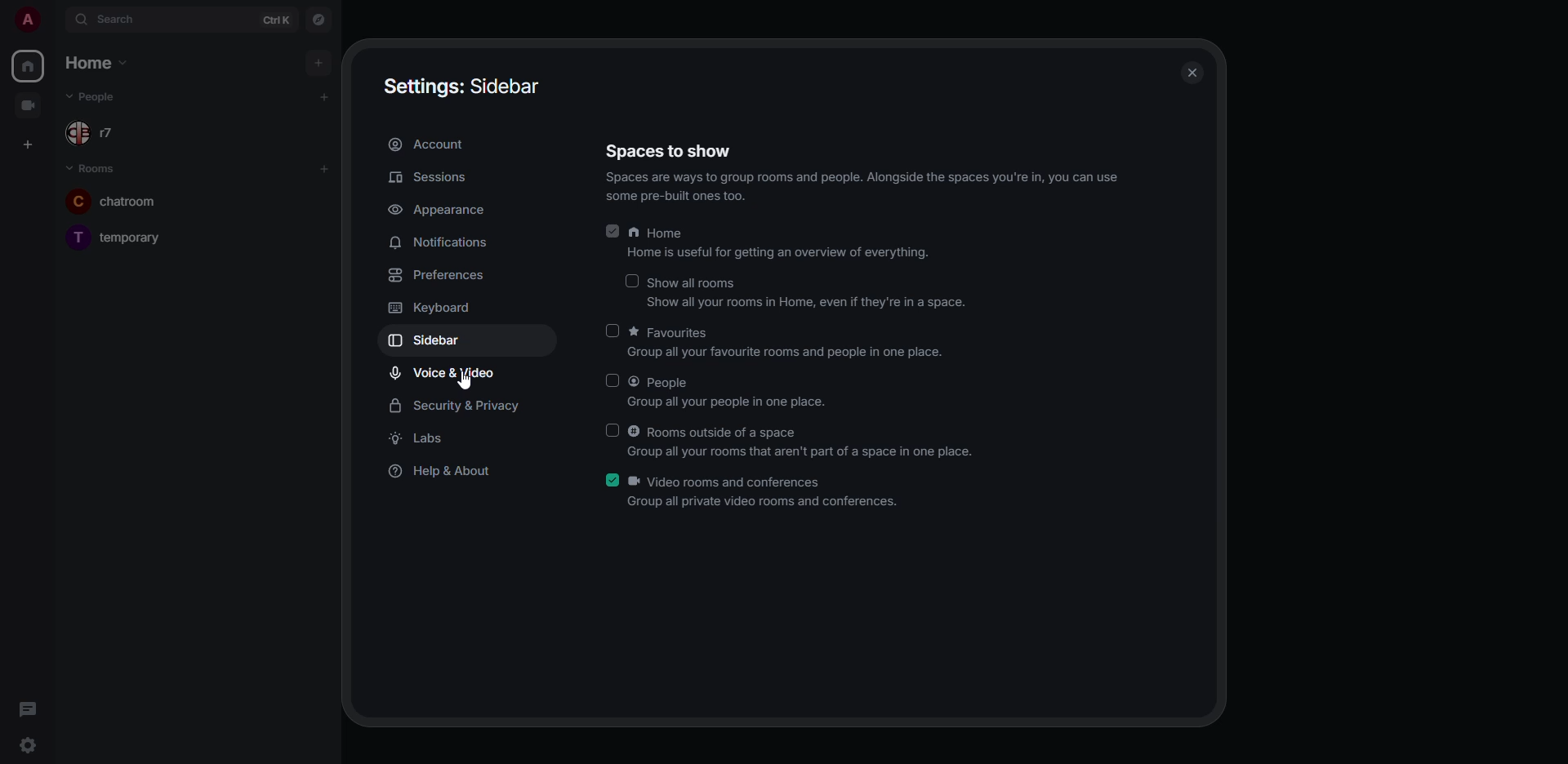 Image resolution: width=1568 pixels, height=764 pixels. What do you see at coordinates (29, 144) in the screenshot?
I see `create space` at bounding box center [29, 144].